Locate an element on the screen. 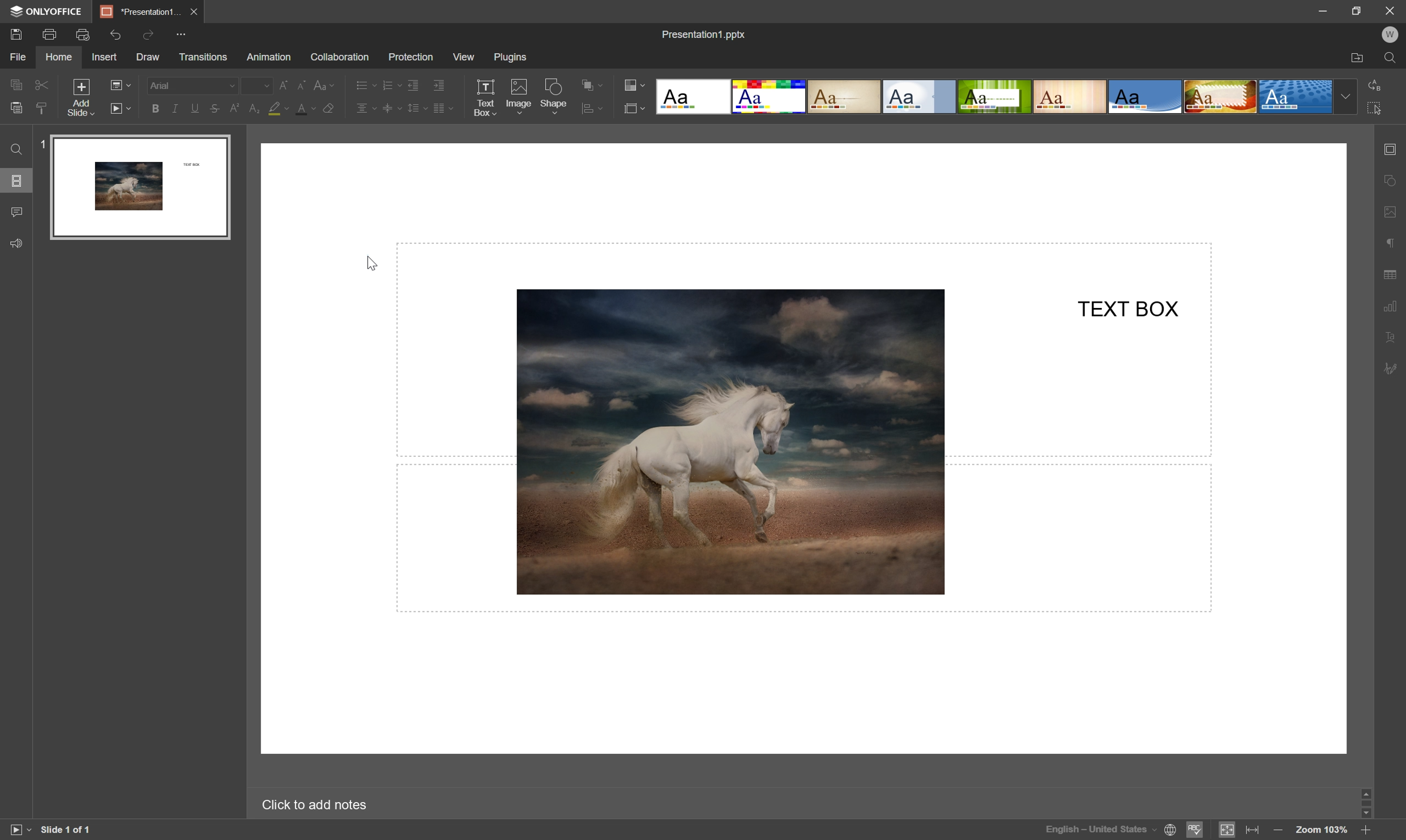  onlyoffice is located at coordinates (48, 11).